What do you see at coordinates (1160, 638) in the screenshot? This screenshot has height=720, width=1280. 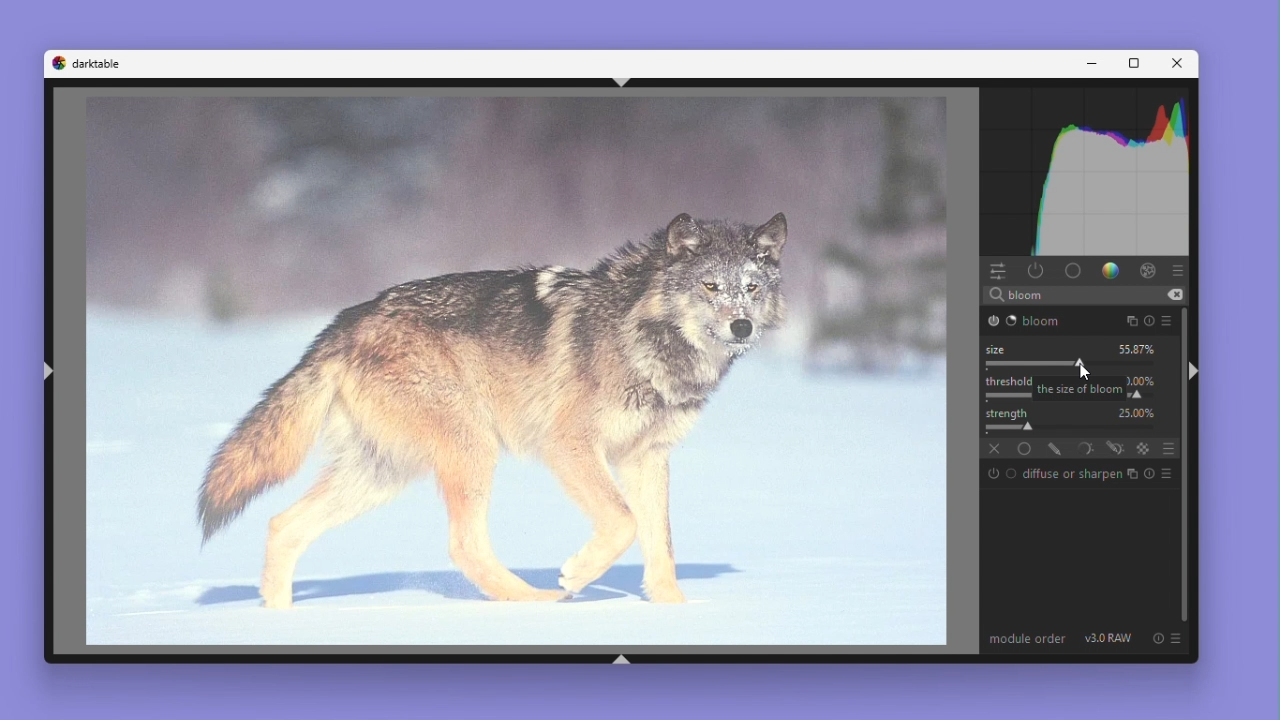 I see `reset` at bounding box center [1160, 638].